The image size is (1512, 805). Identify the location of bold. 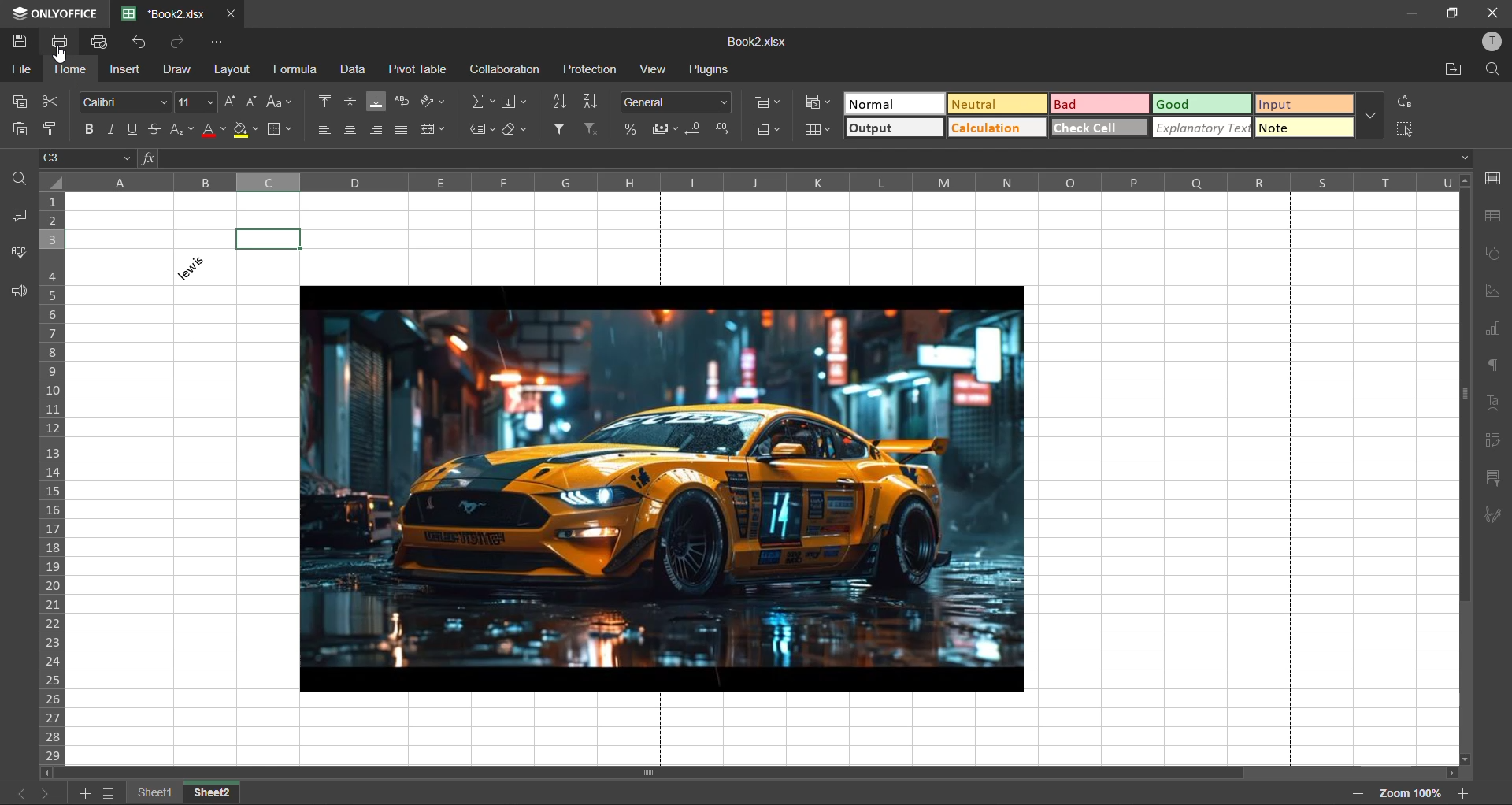
(92, 130).